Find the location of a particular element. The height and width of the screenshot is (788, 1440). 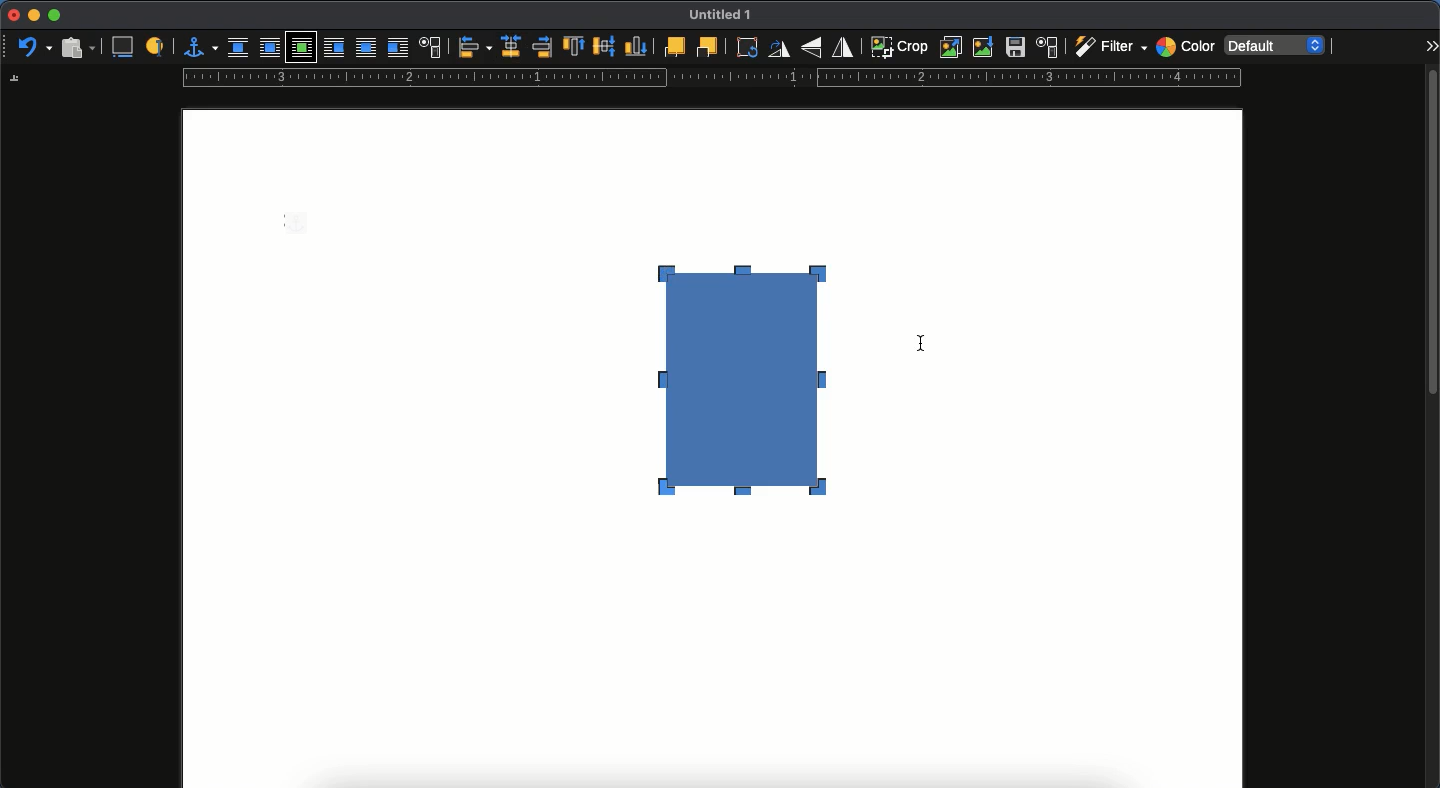

filter is located at coordinates (1109, 47).